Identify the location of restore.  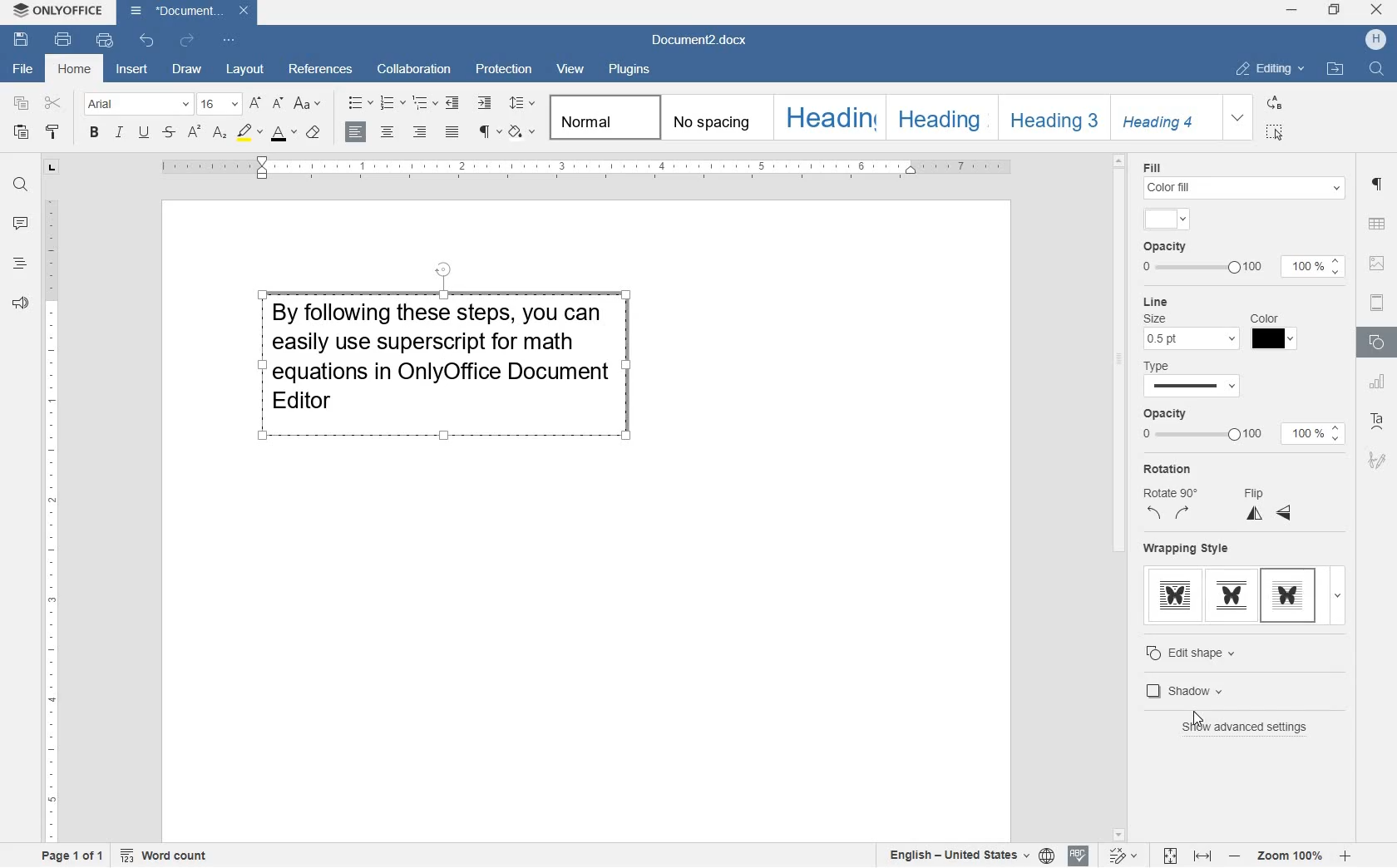
(1335, 11).